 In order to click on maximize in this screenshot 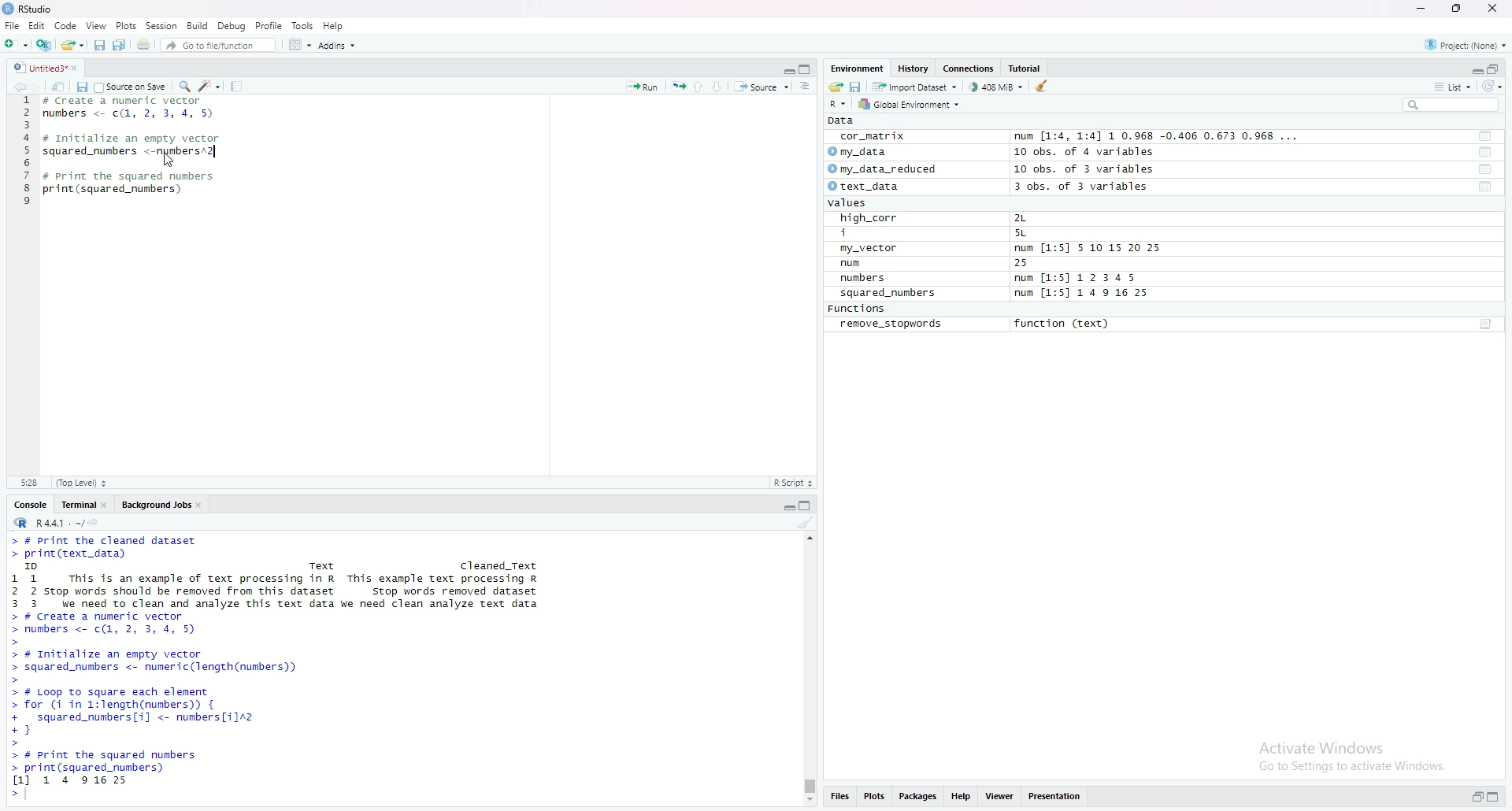, I will do `click(807, 69)`.